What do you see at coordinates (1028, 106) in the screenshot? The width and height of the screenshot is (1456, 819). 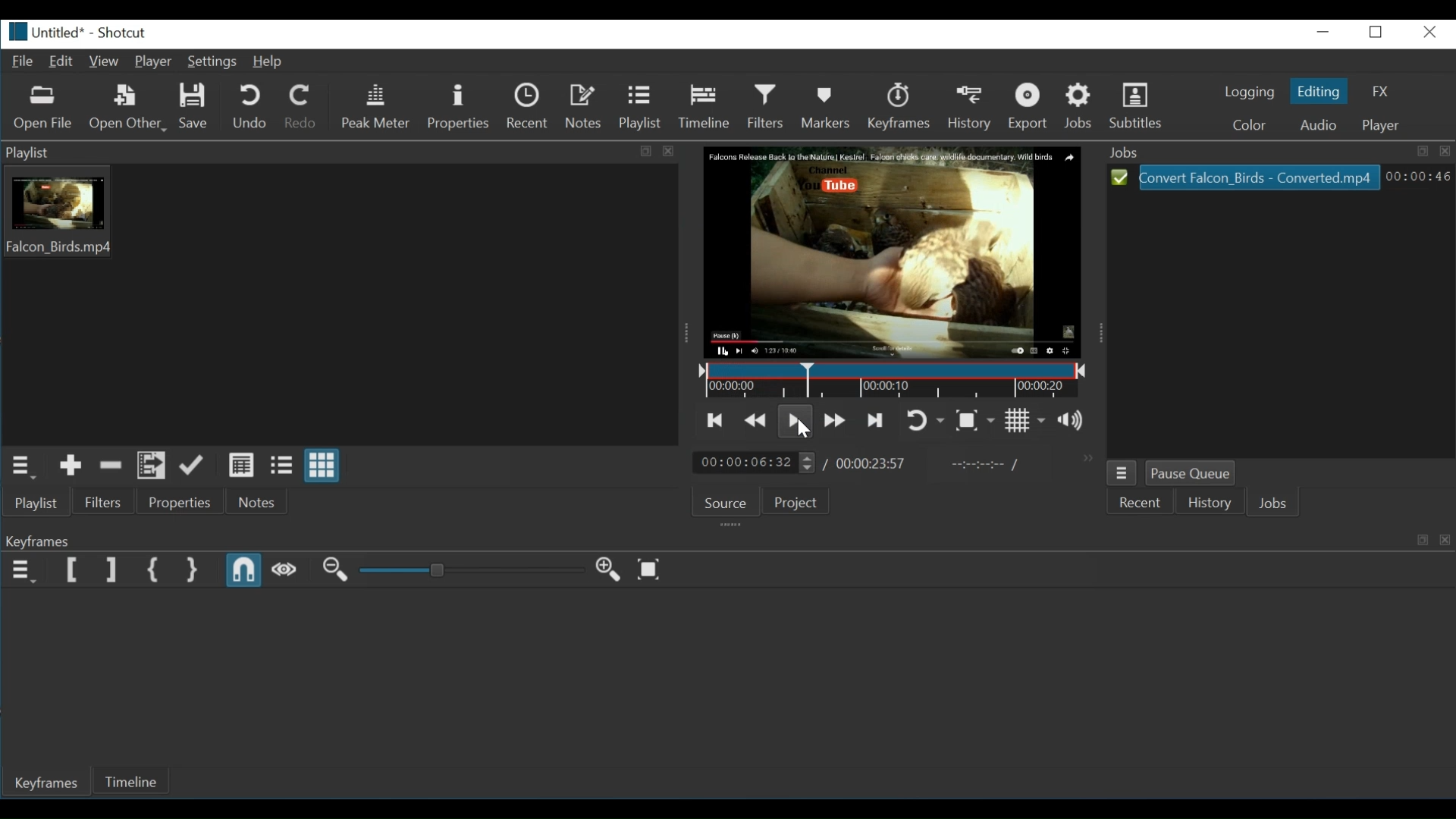 I see `Export` at bounding box center [1028, 106].